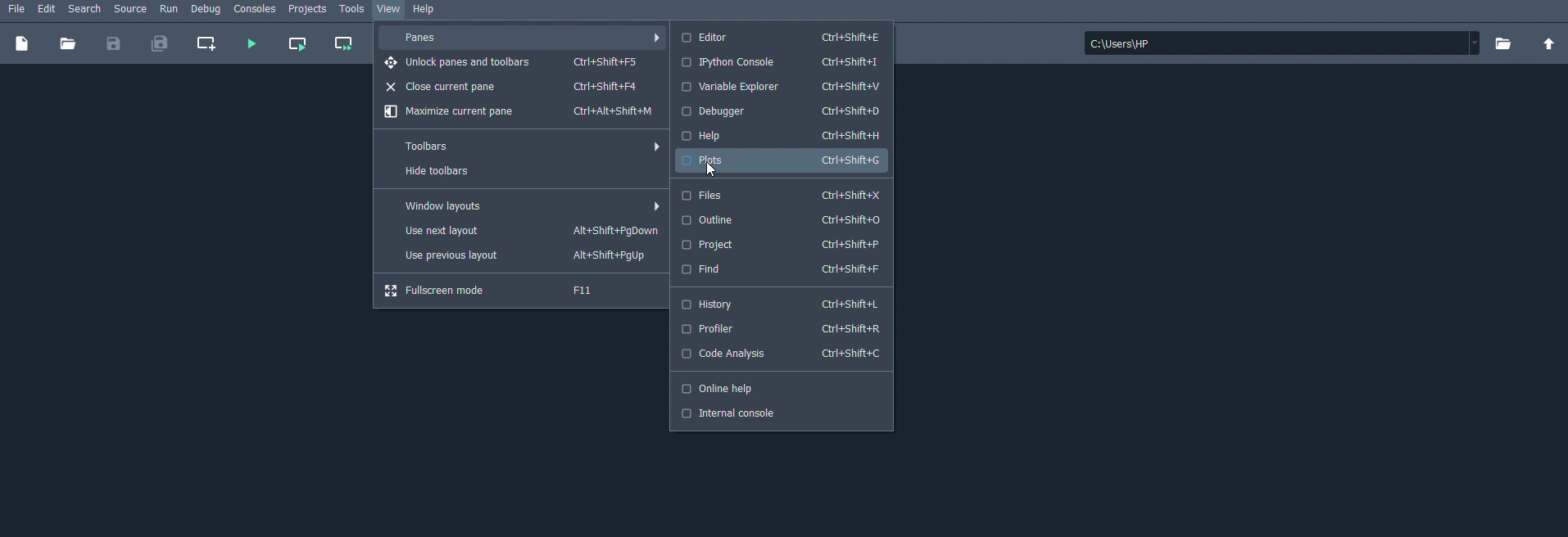 Image resolution: width=1568 pixels, height=537 pixels. What do you see at coordinates (1506, 44) in the screenshot?
I see `Browse a working directory` at bounding box center [1506, 44].